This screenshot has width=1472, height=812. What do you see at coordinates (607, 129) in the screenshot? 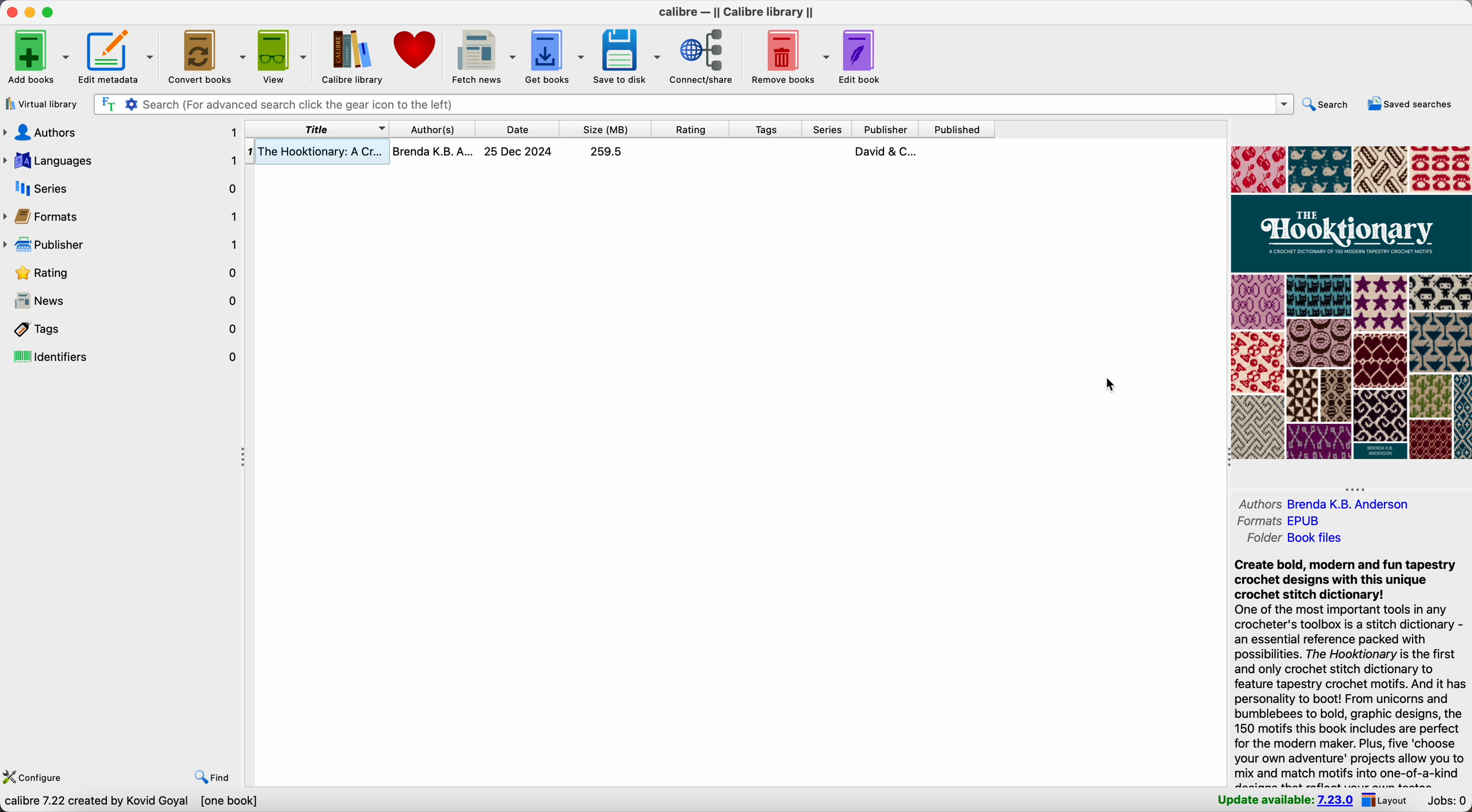
I see `size` at bounding box center [607, 129].